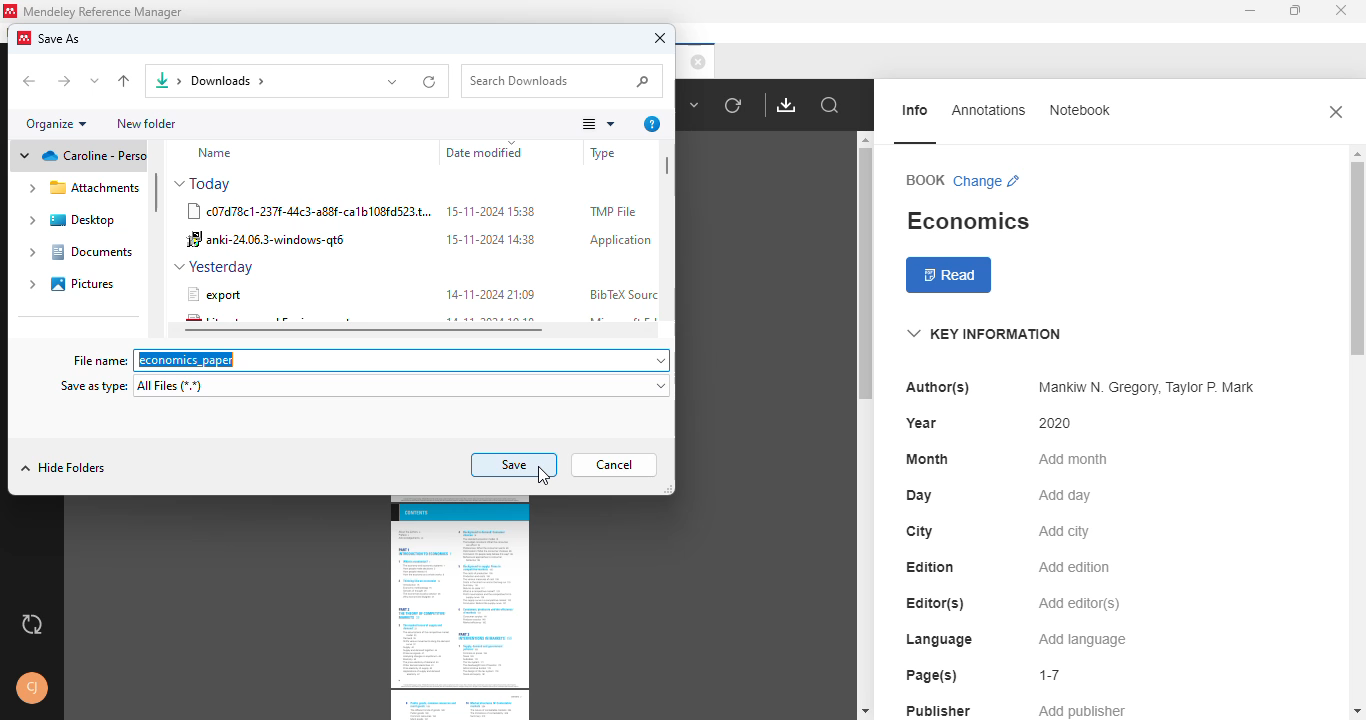 The width and height of the screenshot is (1366, 720). What do you see at coordinates (65, 82) in the screenshot?
I see `forward` at bounding box center [65, 82].